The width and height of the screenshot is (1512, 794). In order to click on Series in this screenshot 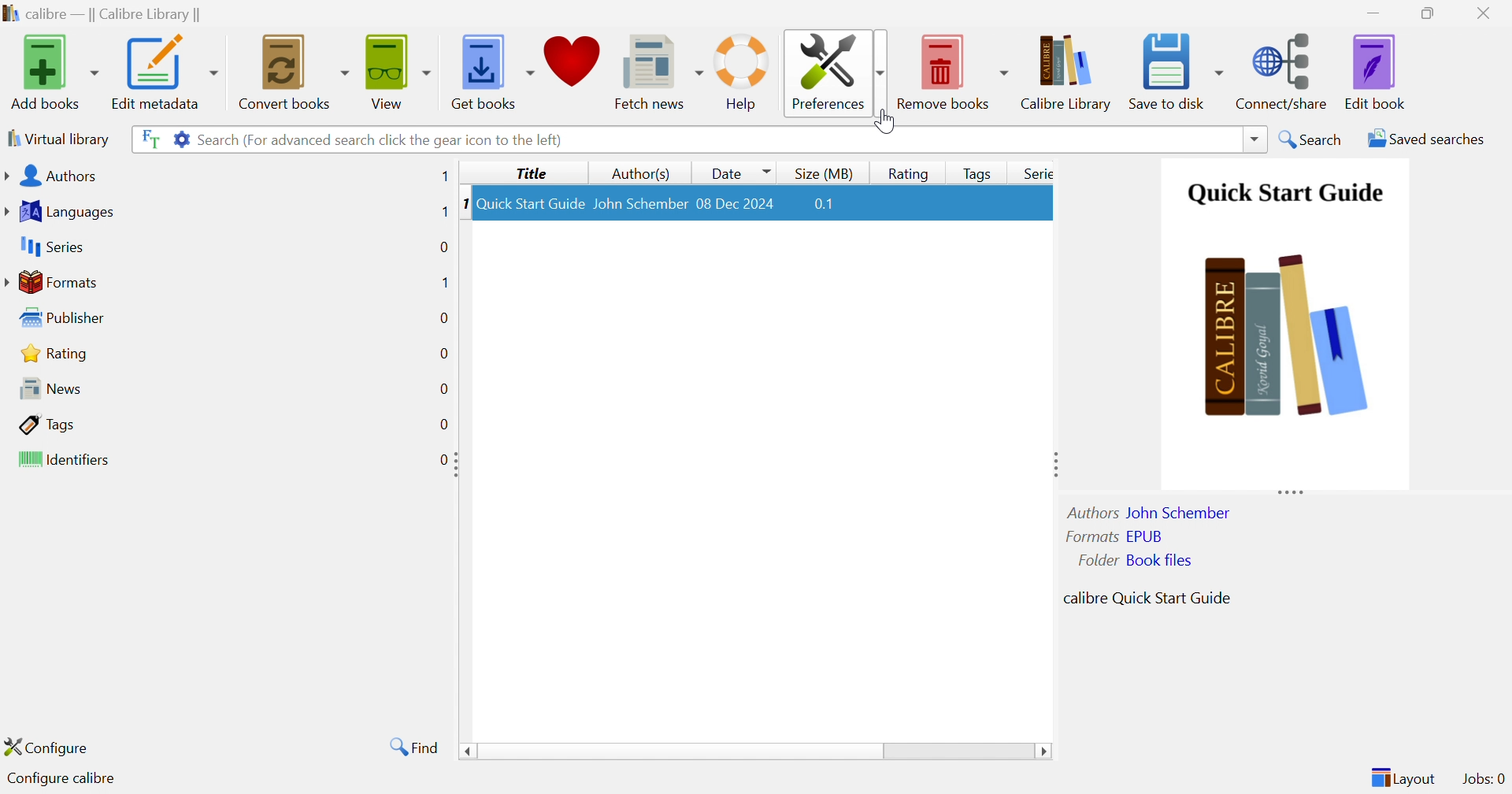, I will do `click(50, 247)`.